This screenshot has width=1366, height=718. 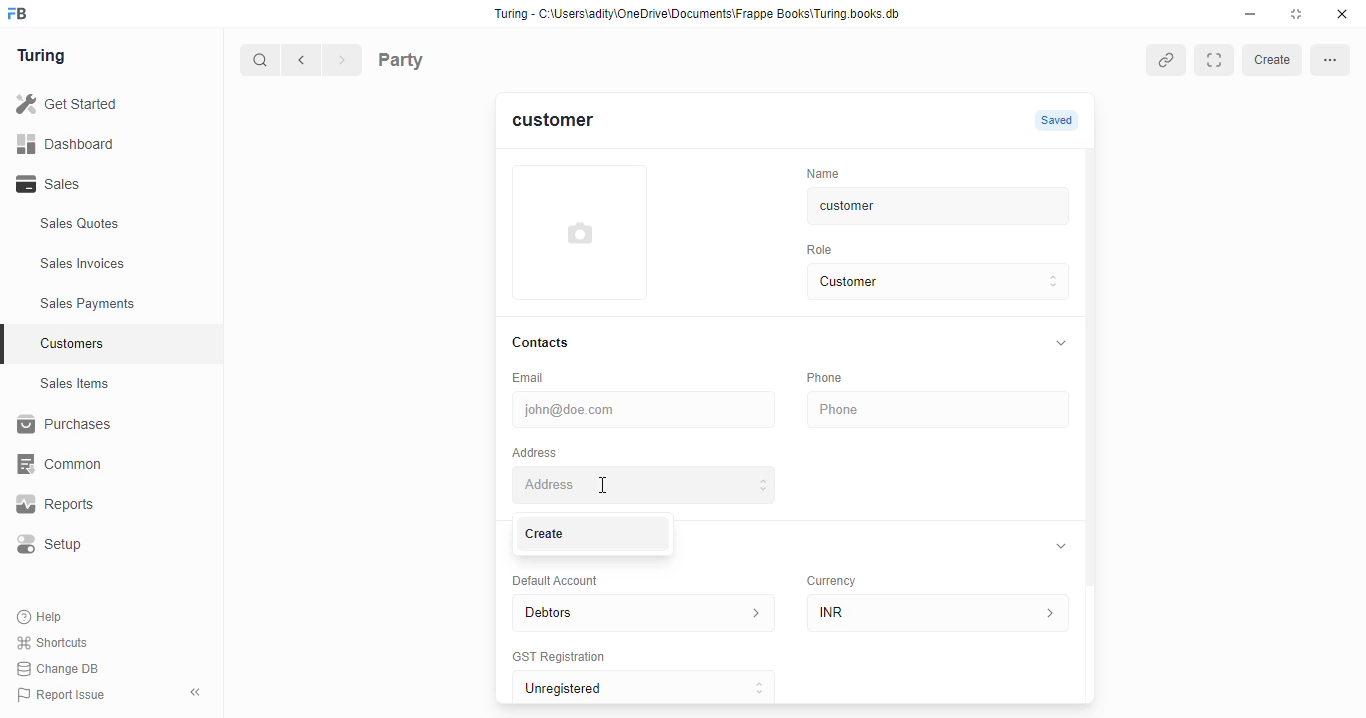 I want to click on add profile photo, so click(x=583, y=231).